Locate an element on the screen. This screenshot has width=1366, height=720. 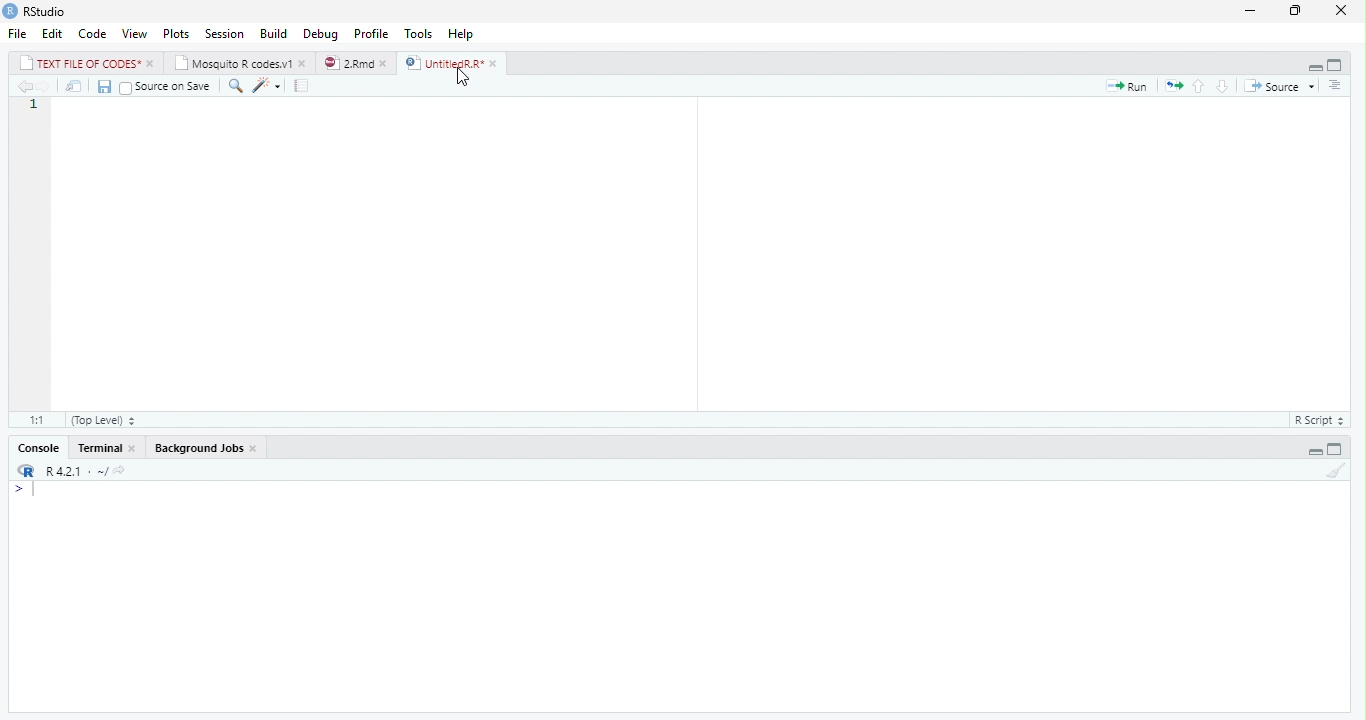
code editor is located at coordinates (355, 253).